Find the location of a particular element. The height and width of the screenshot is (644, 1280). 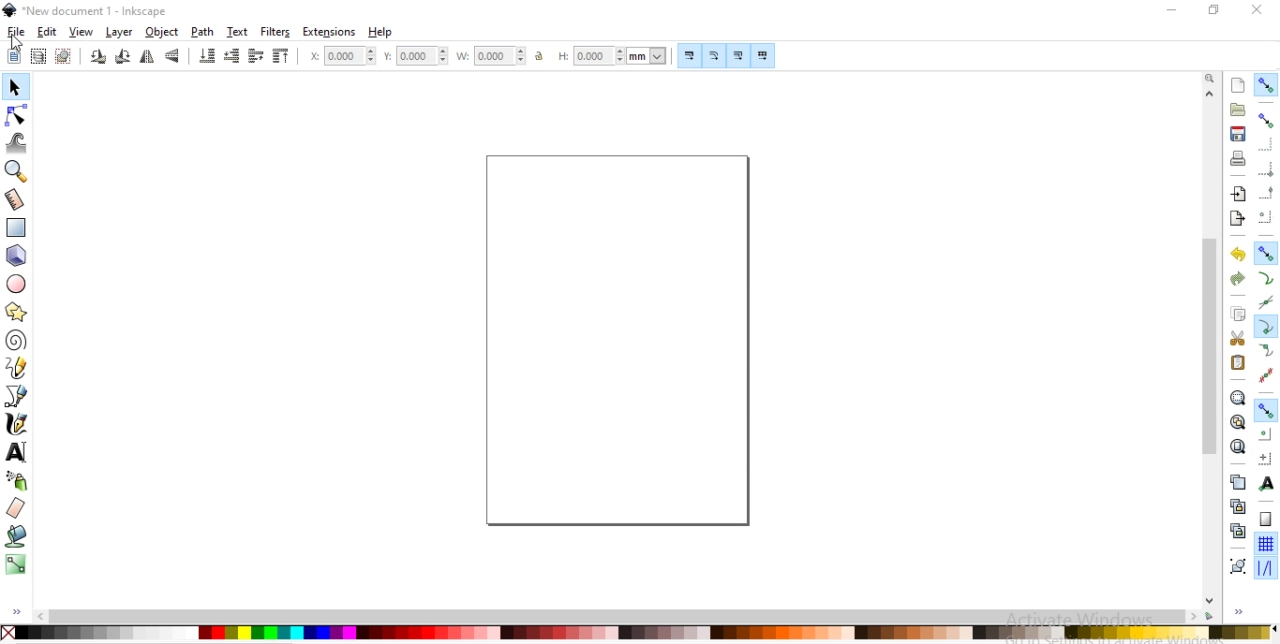

zoom is located at coordinates (1212, 77).